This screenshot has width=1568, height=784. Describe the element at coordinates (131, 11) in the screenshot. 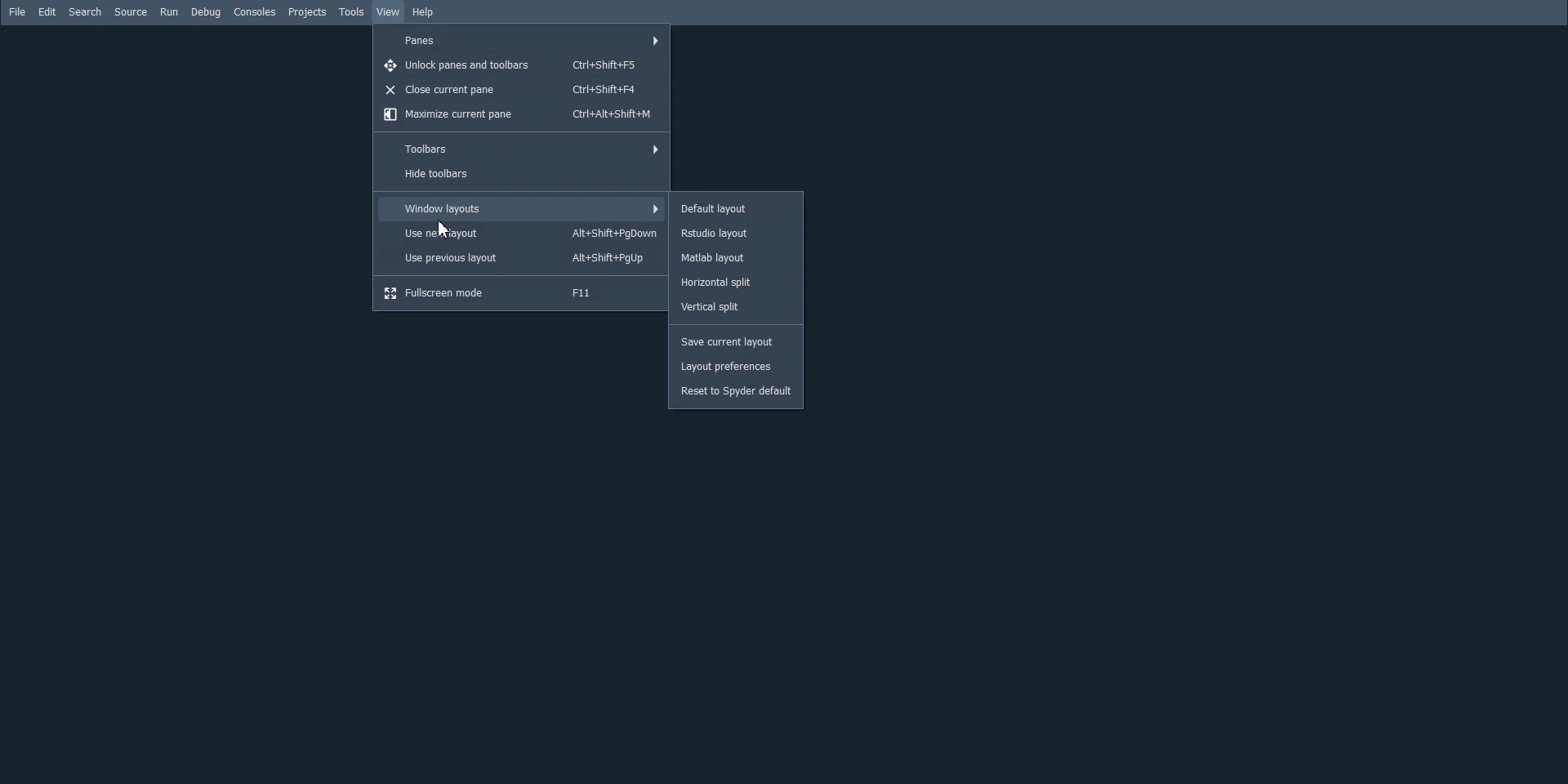

I see `Source` at that location.